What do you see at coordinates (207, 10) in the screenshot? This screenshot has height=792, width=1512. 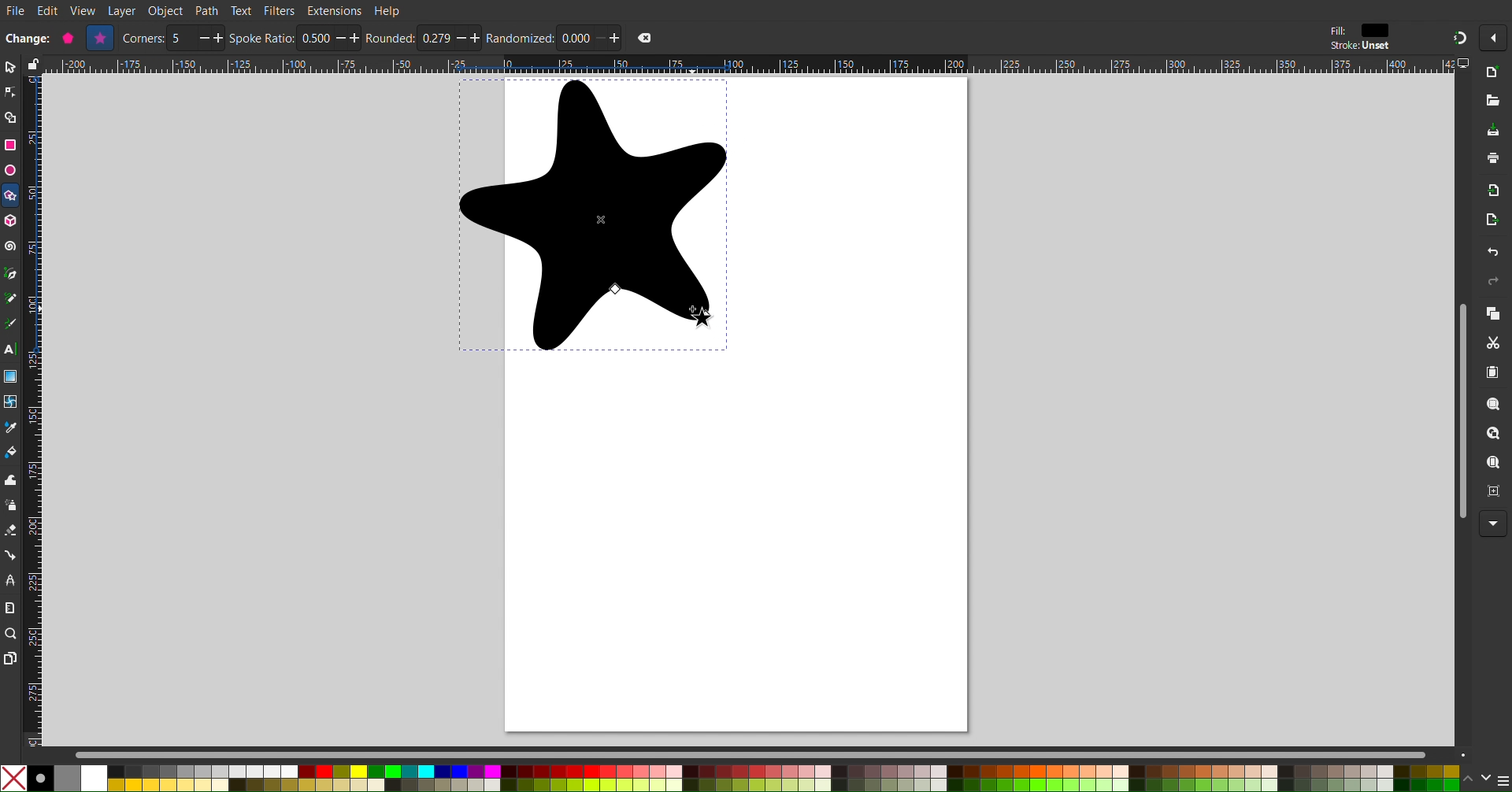 I see `Path` at bounding box center [207, 10].